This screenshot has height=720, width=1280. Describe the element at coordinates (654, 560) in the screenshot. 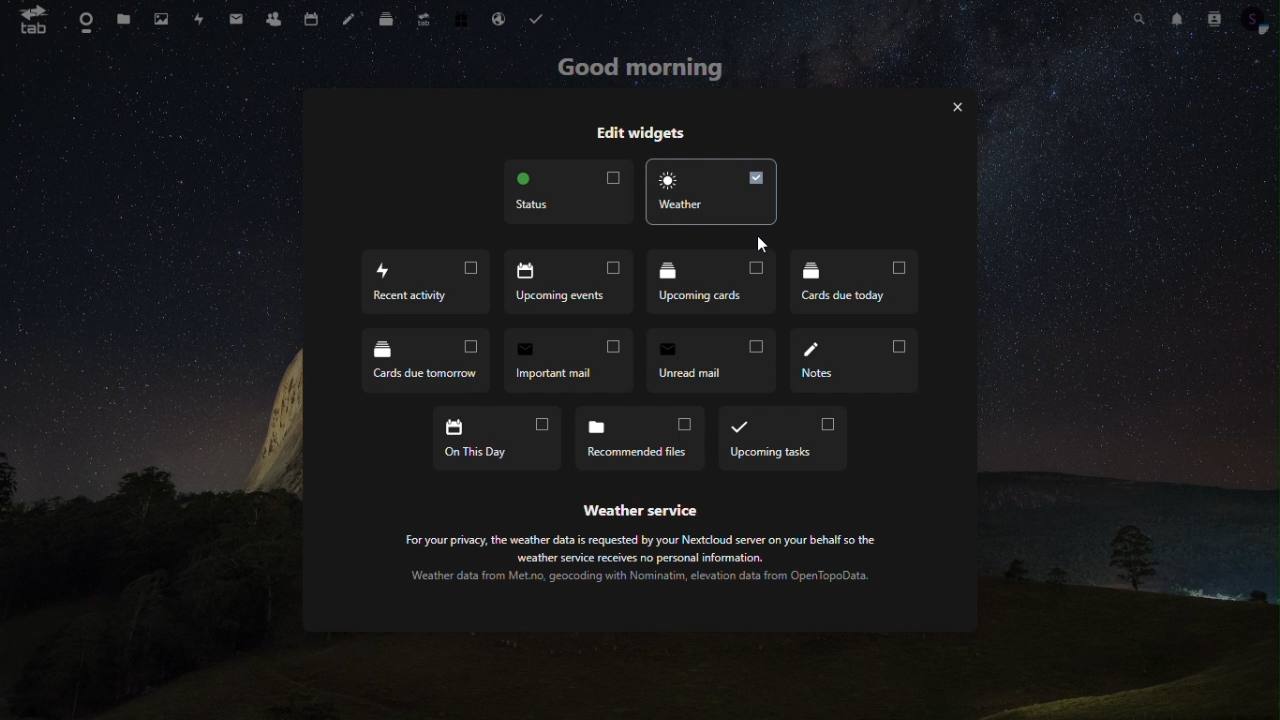

I see `For your privacy, the weather data is requested by your Nextcloud server on your behalf so the
weather service receives no personal information.
Weather data from Met.no, geocoding with Nominatim, elevation data from OpenTopoData.` at that location.